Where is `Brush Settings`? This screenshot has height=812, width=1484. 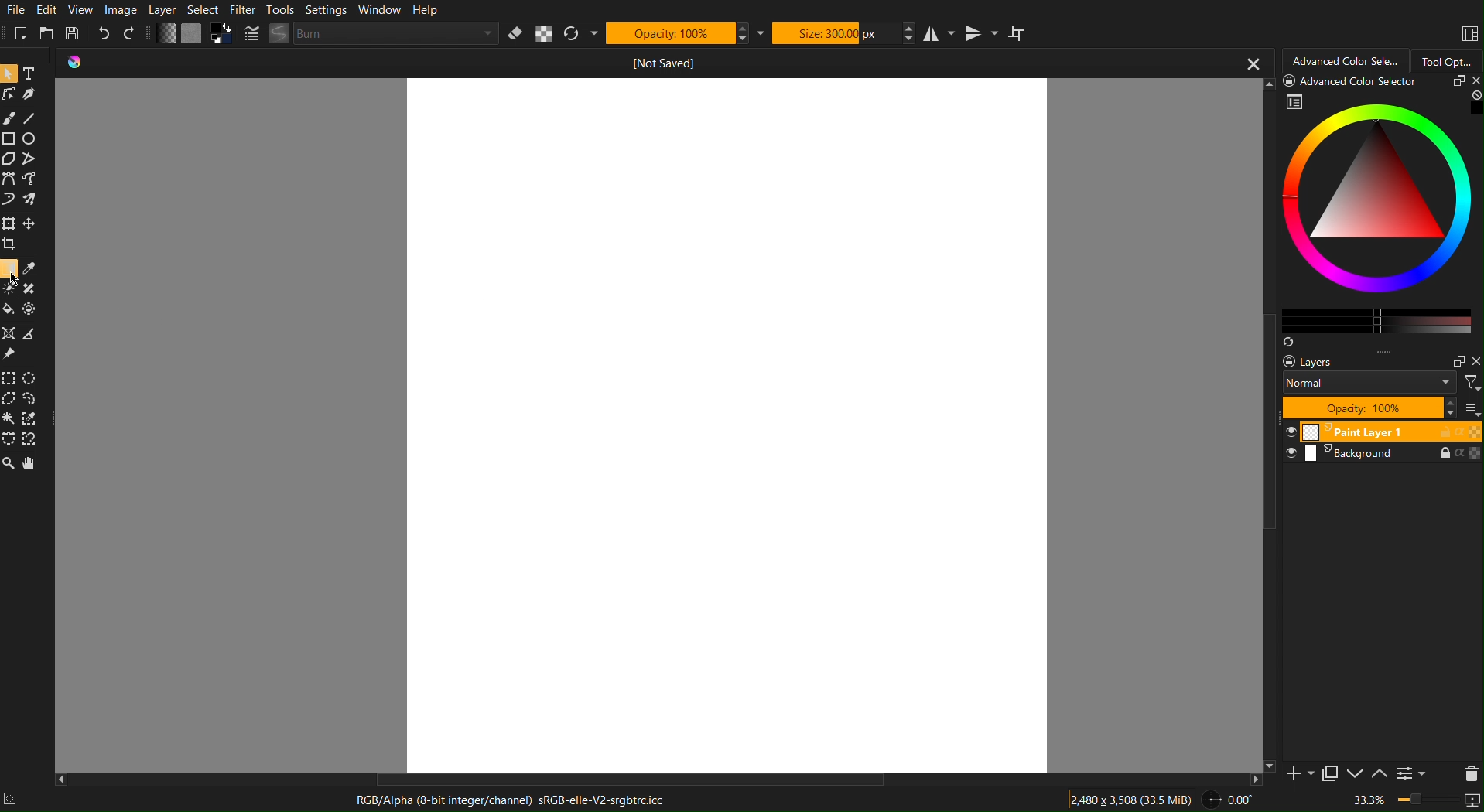 Brush Settings is located at coordinates (373, 34).